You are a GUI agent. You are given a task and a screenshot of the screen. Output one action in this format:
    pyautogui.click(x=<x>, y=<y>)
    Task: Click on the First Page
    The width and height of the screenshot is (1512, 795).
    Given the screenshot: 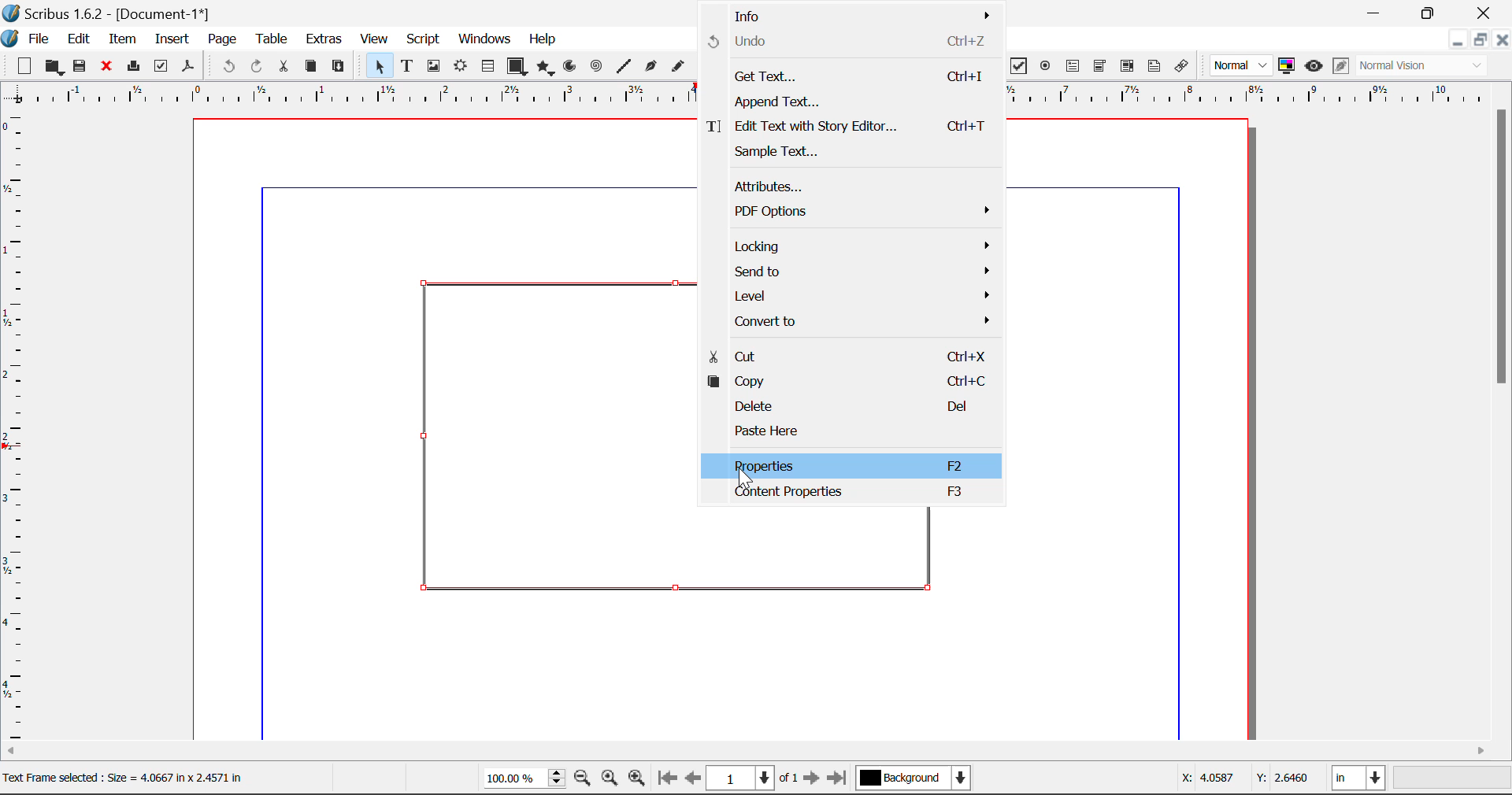 What is the action you would take?
    pyautogui.click(x=667, y=780)
    